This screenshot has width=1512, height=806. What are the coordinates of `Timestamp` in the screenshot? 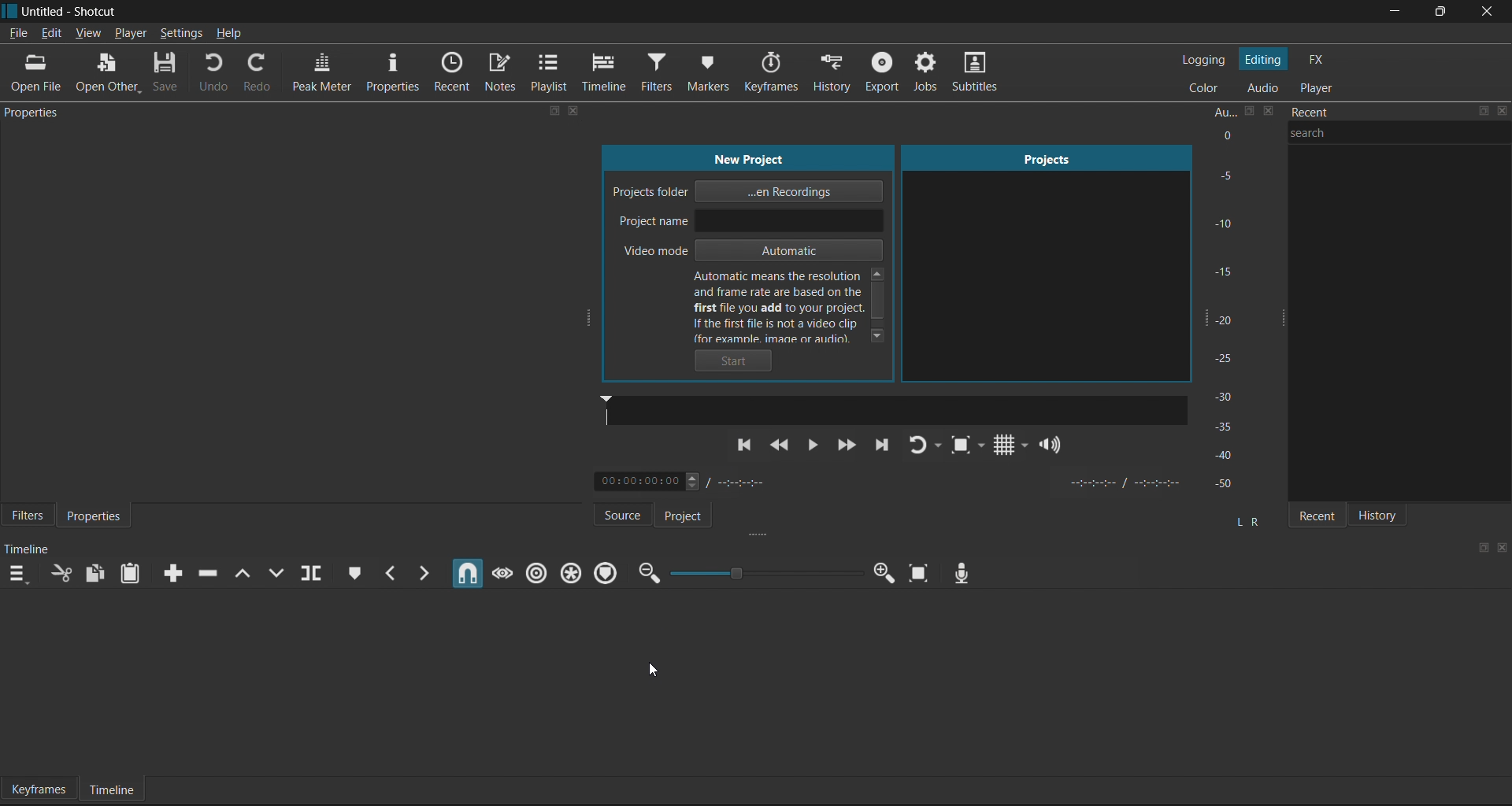 It's located at (691, 482).